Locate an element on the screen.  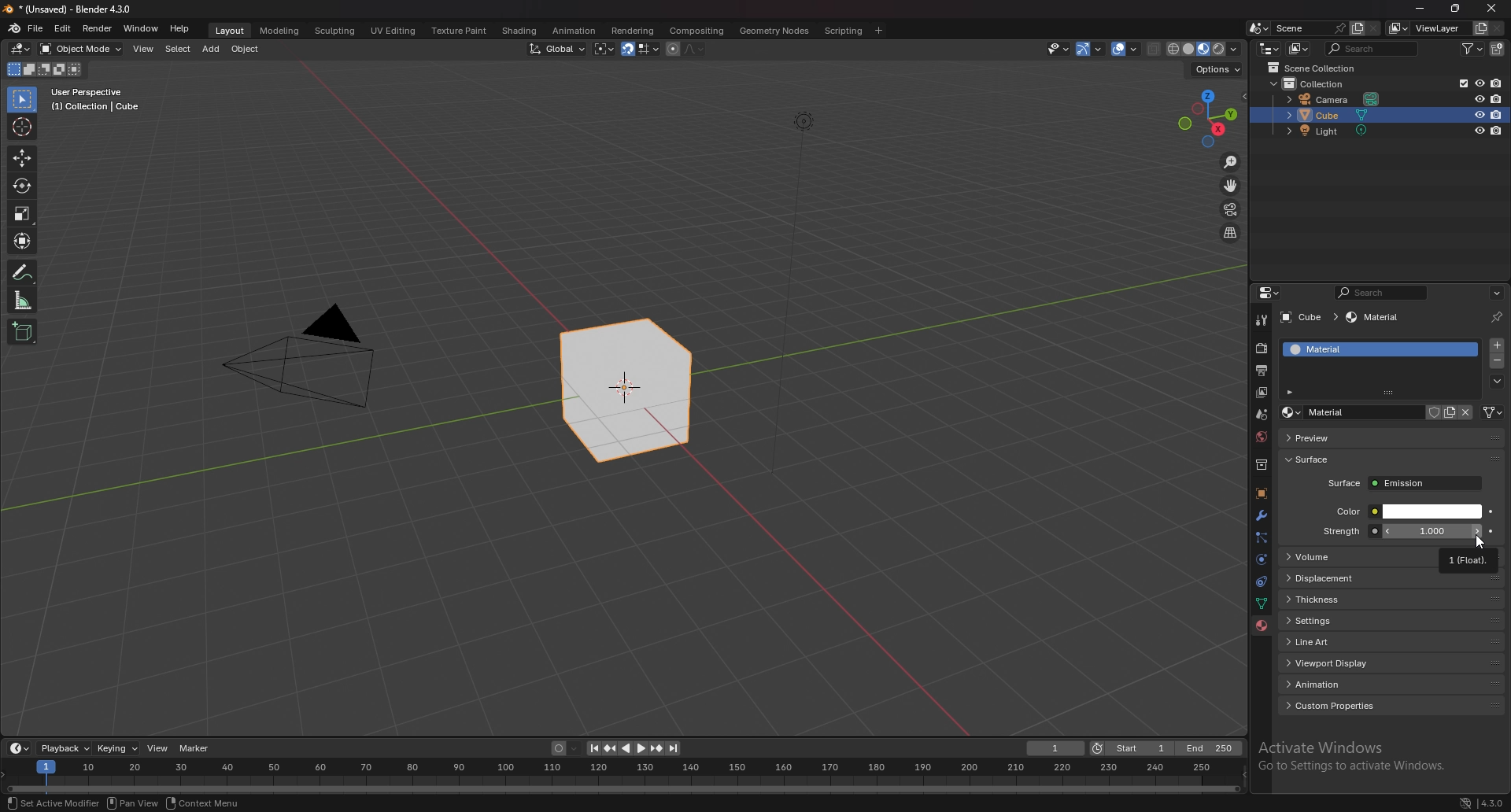
layout is located at coordinates (227, 28).